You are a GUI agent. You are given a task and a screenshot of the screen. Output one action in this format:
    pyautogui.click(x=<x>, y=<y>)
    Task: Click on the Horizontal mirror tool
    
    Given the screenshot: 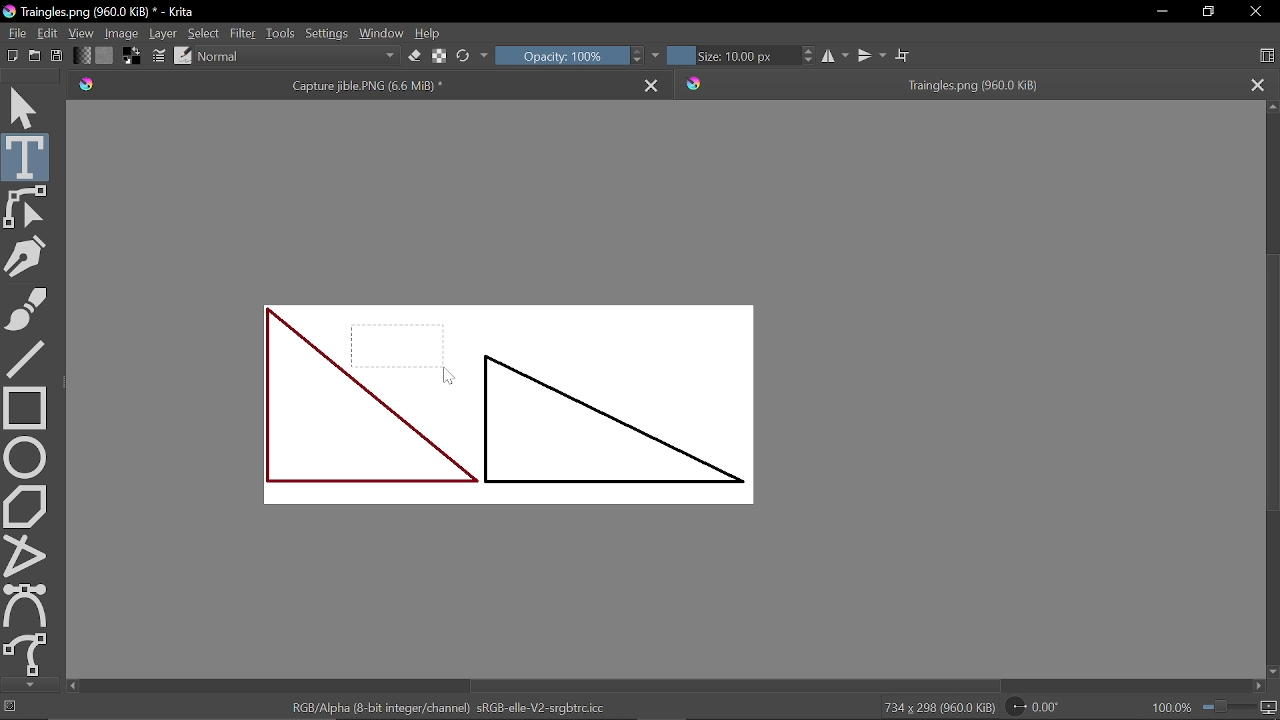 What is the action you would take?
    pyautogui.click(x=834, y=56)
    